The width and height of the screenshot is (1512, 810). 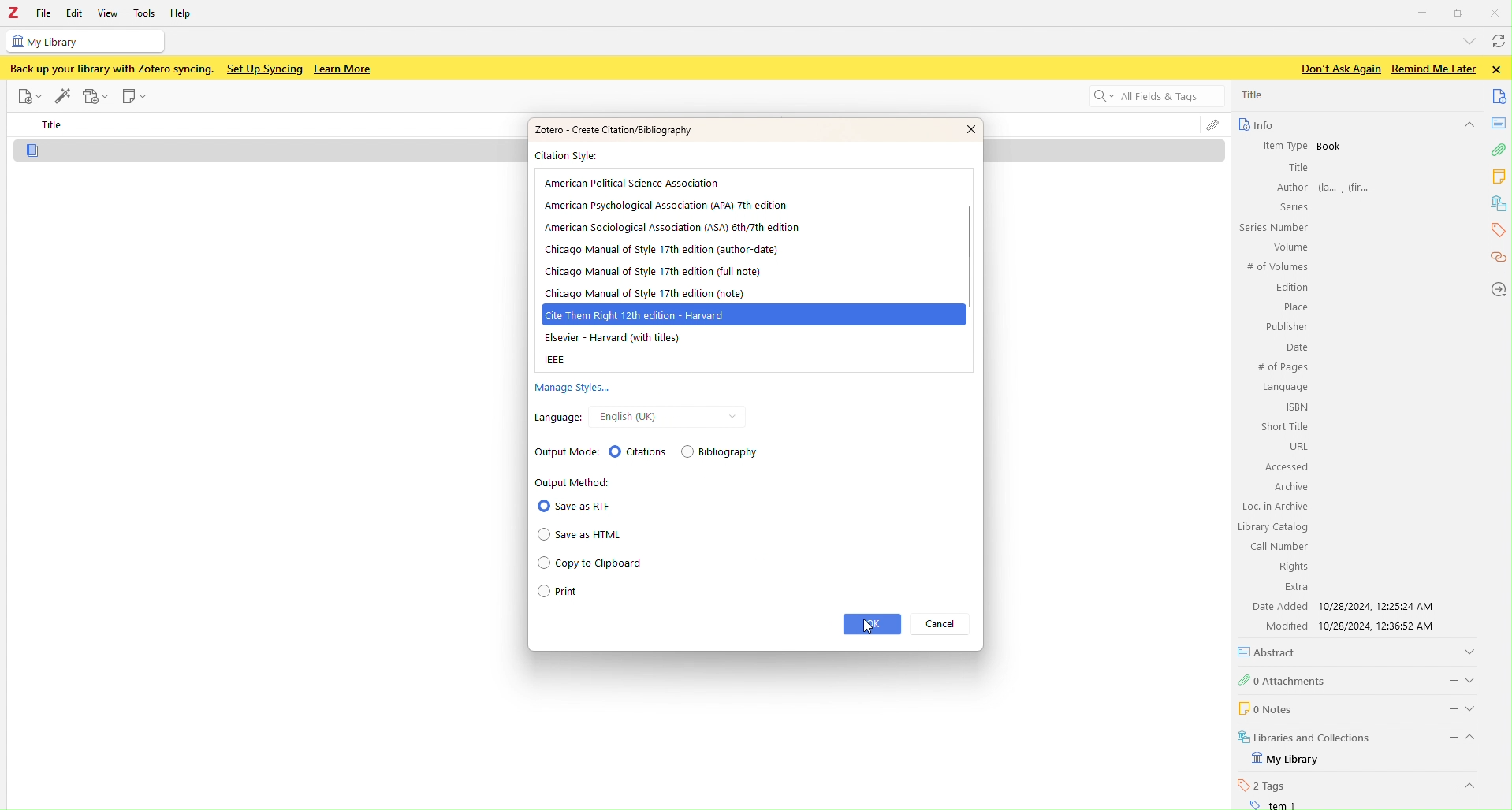 What do you see at coordinates (612, 129) in the screenshot?
I see `Zotero - Create Citation/Bibliography` at bounding box center [612, 129].